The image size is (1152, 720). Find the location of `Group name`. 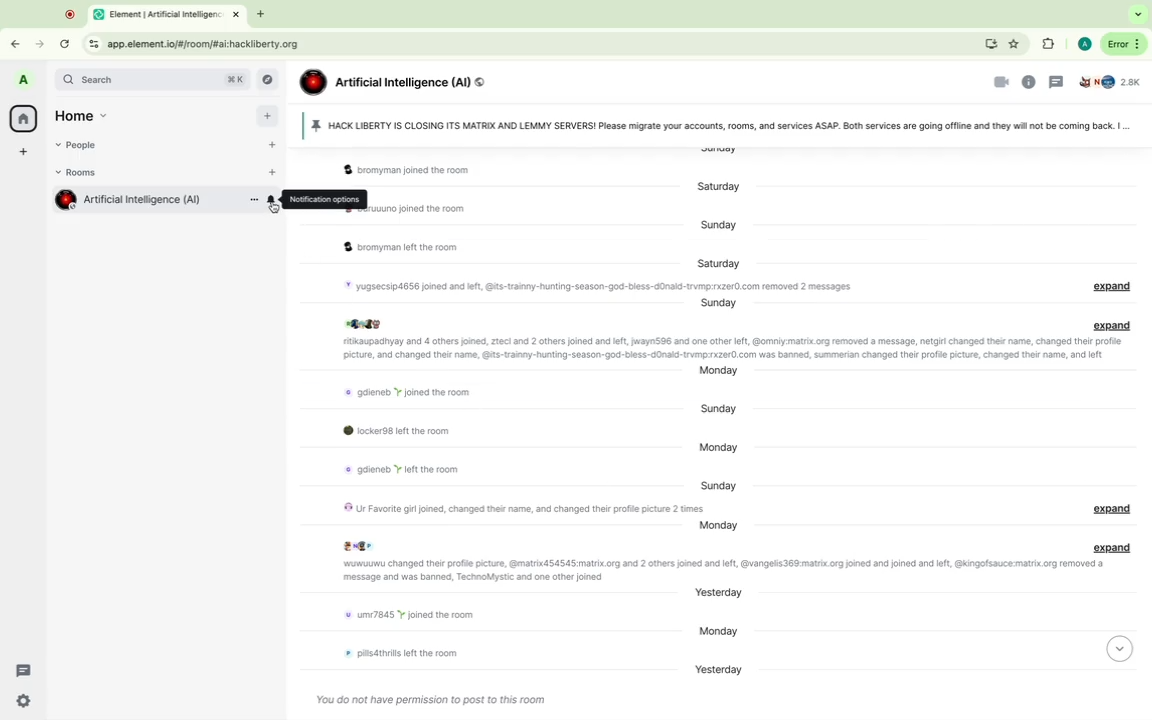

Group name is located at coordinates (400, 81).